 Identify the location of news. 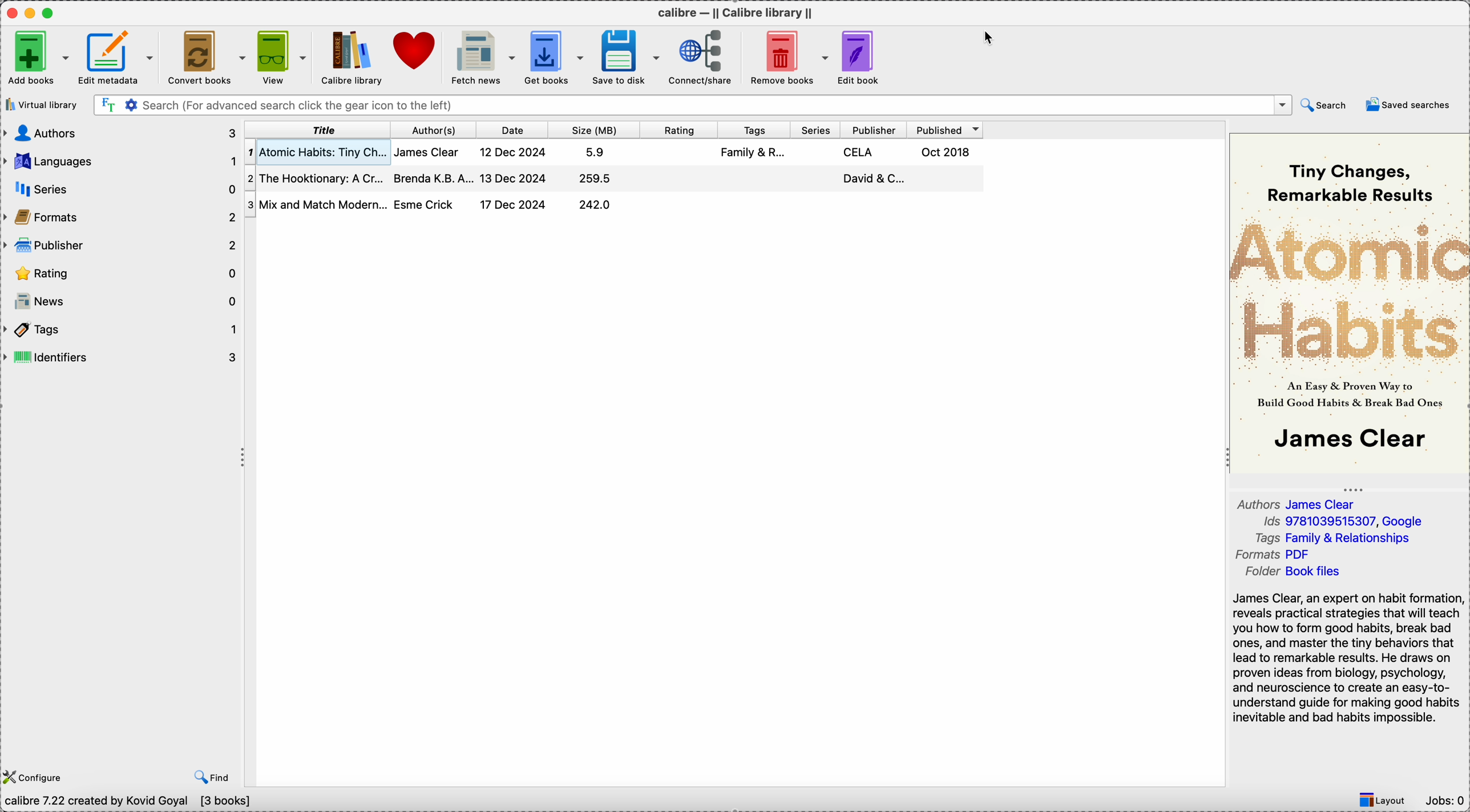
(120, 301).